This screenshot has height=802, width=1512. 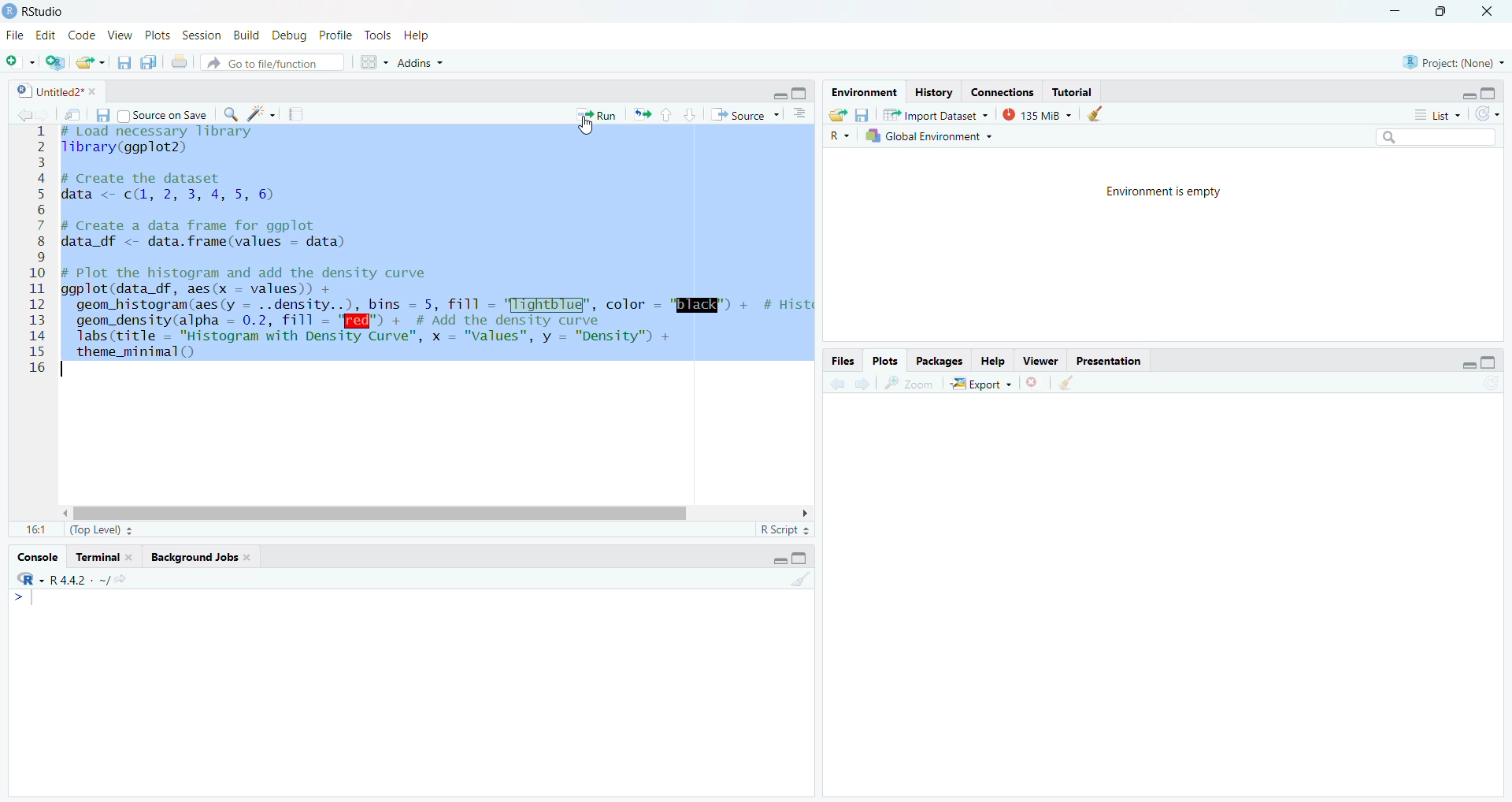 What do you see at coordinates (119, 33) in the screenshot?
I see `View` at bounding box center [119, 33].